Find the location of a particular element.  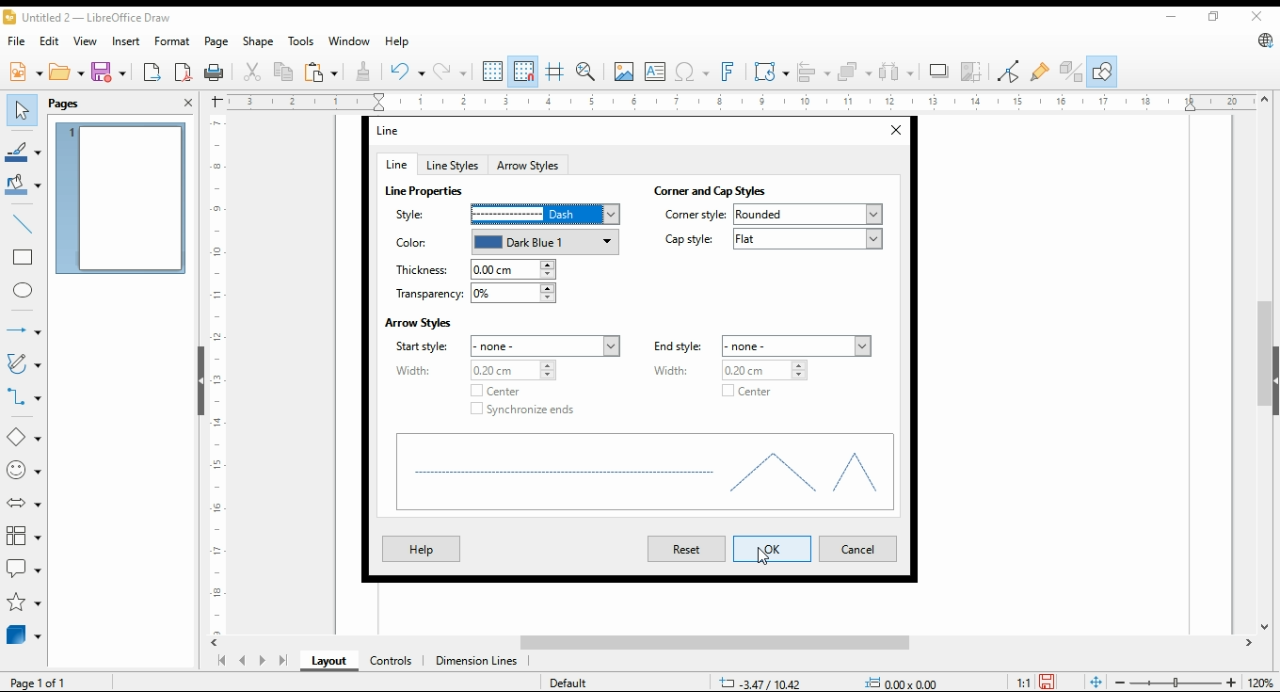

insert image is located at coordinates (623, 71).